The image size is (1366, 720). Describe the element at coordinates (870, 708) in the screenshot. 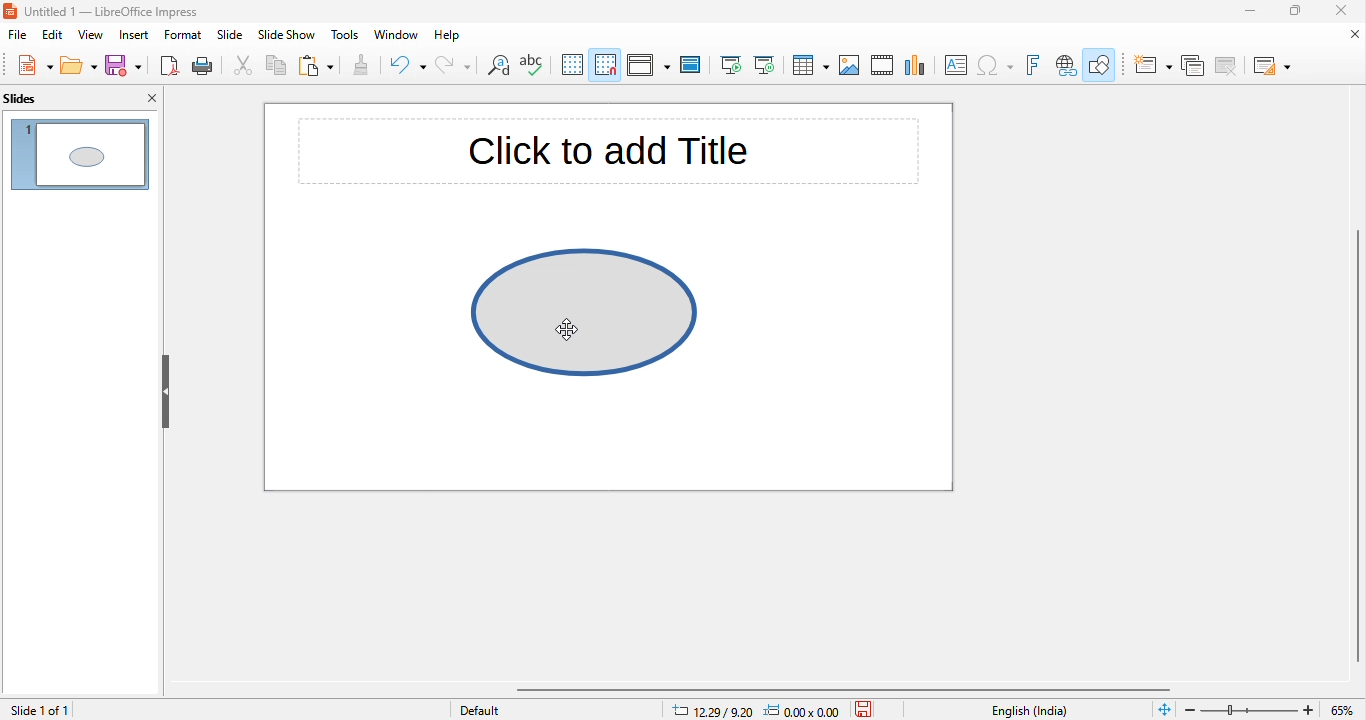

I see `save the document` at that location.